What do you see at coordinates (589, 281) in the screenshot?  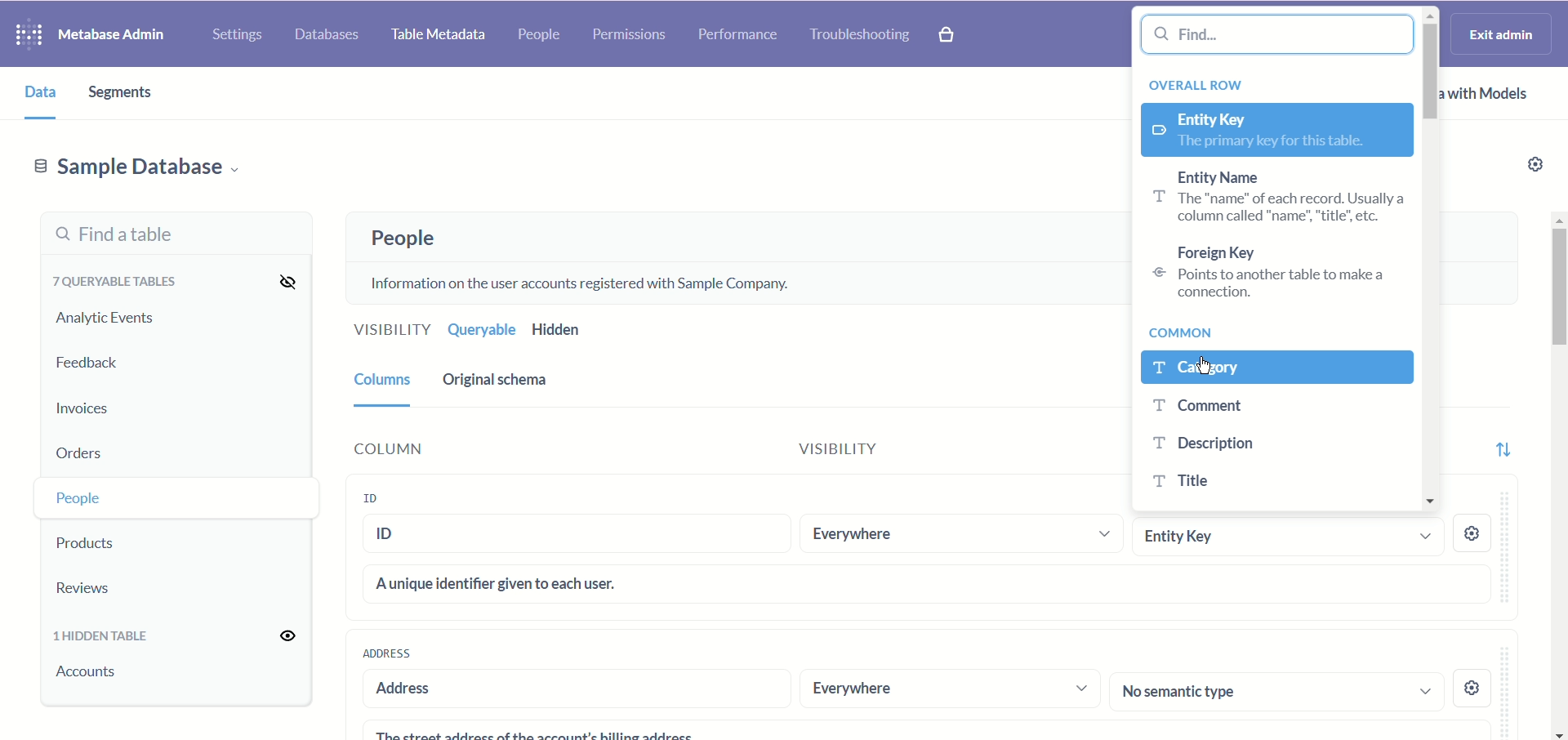 I see `information on the user accounts registered with sample company` at bounding box center [589, 281].